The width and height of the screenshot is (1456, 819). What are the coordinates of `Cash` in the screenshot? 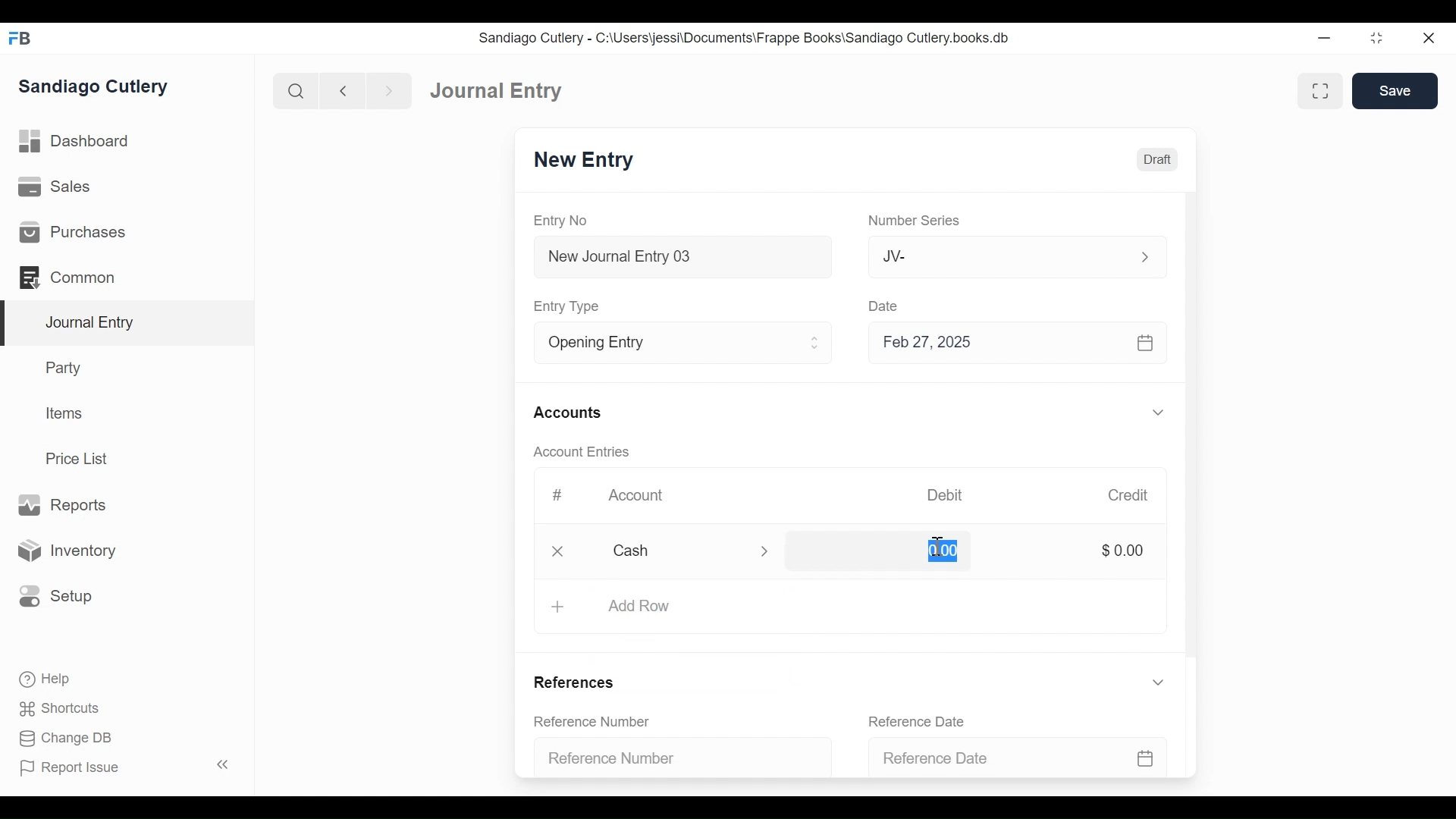 It's located at (673, 550).